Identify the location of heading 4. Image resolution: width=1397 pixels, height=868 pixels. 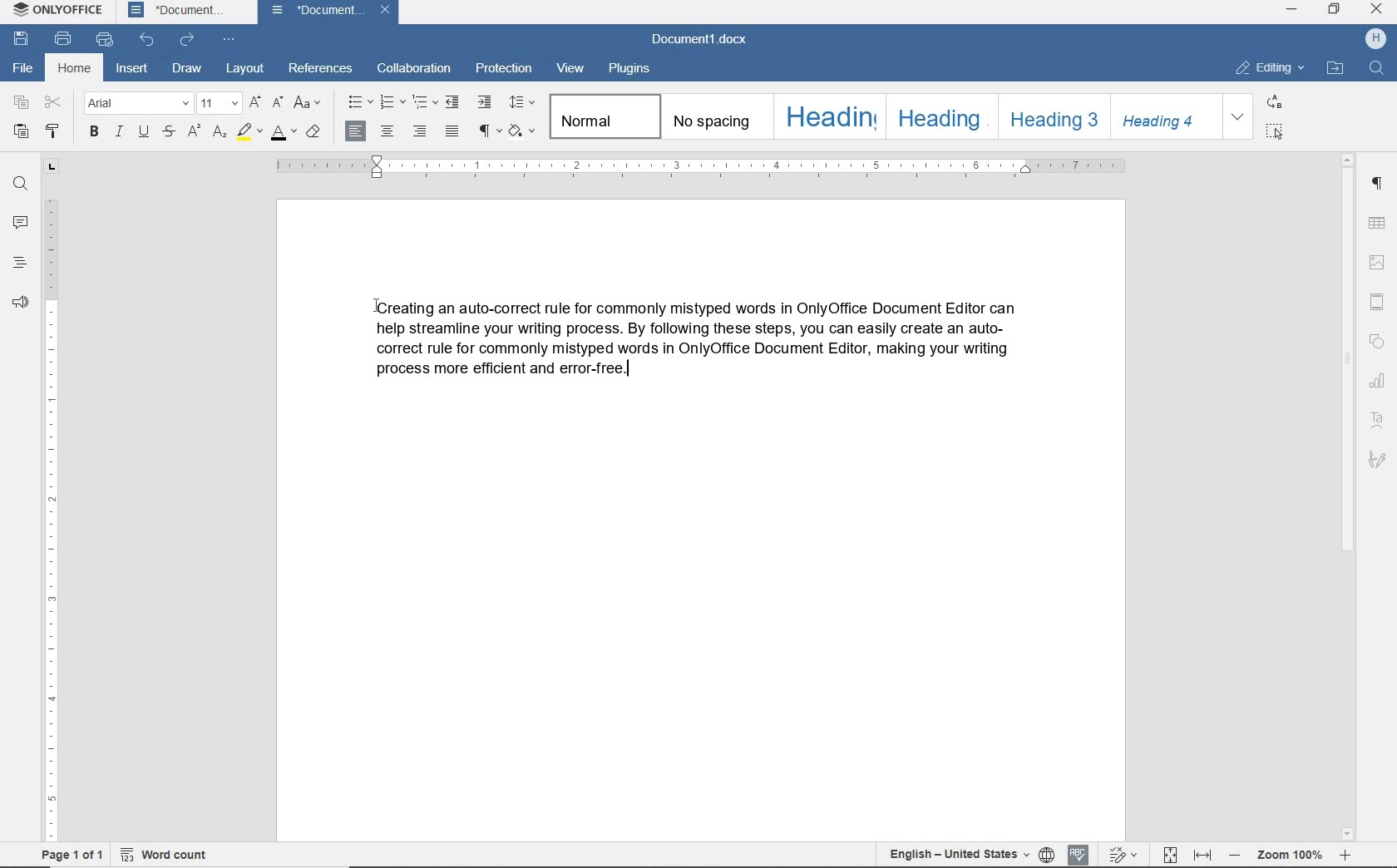
(1168, 116).